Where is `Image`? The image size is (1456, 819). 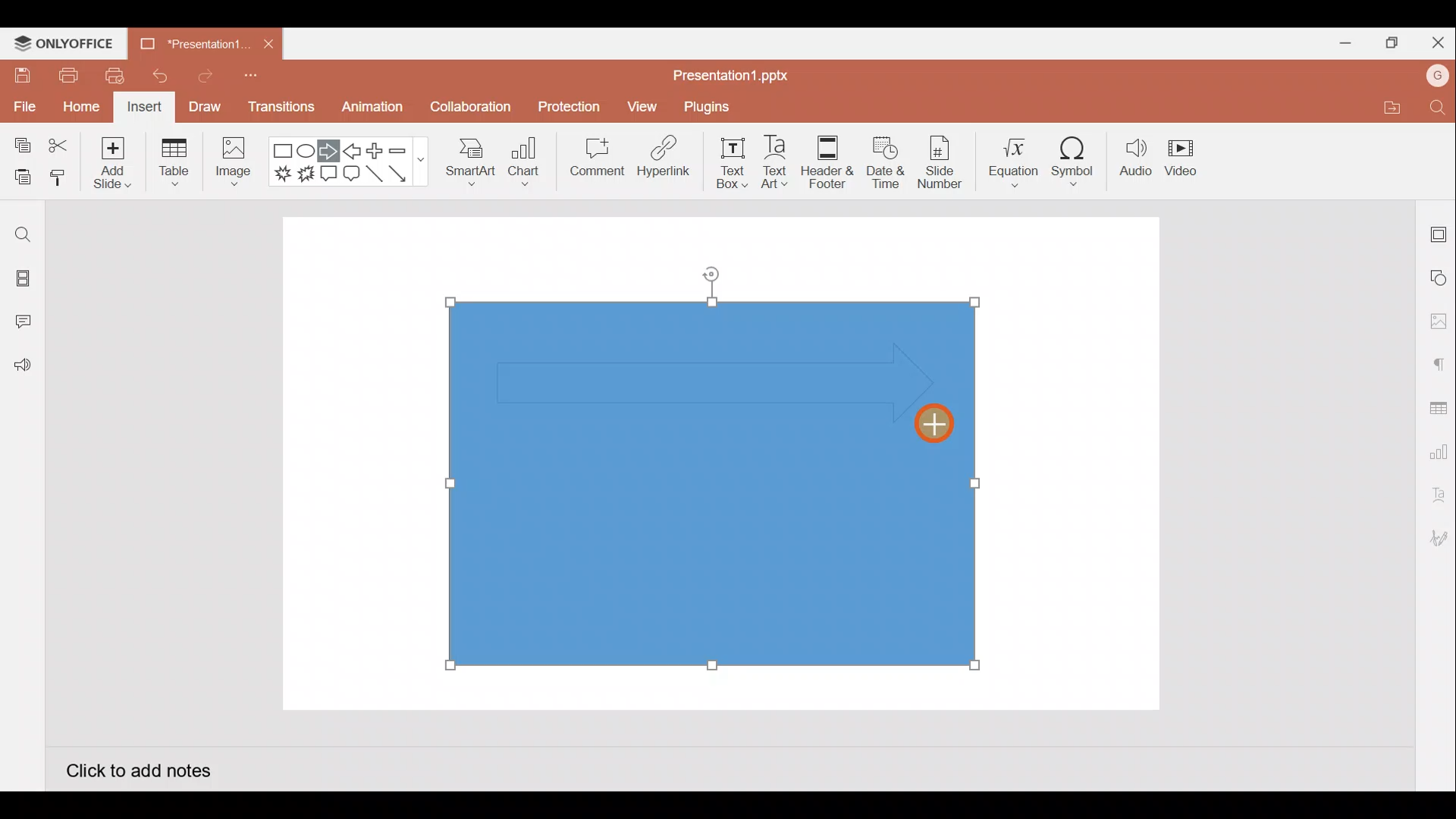
Image is located at coordinates (231, 165).